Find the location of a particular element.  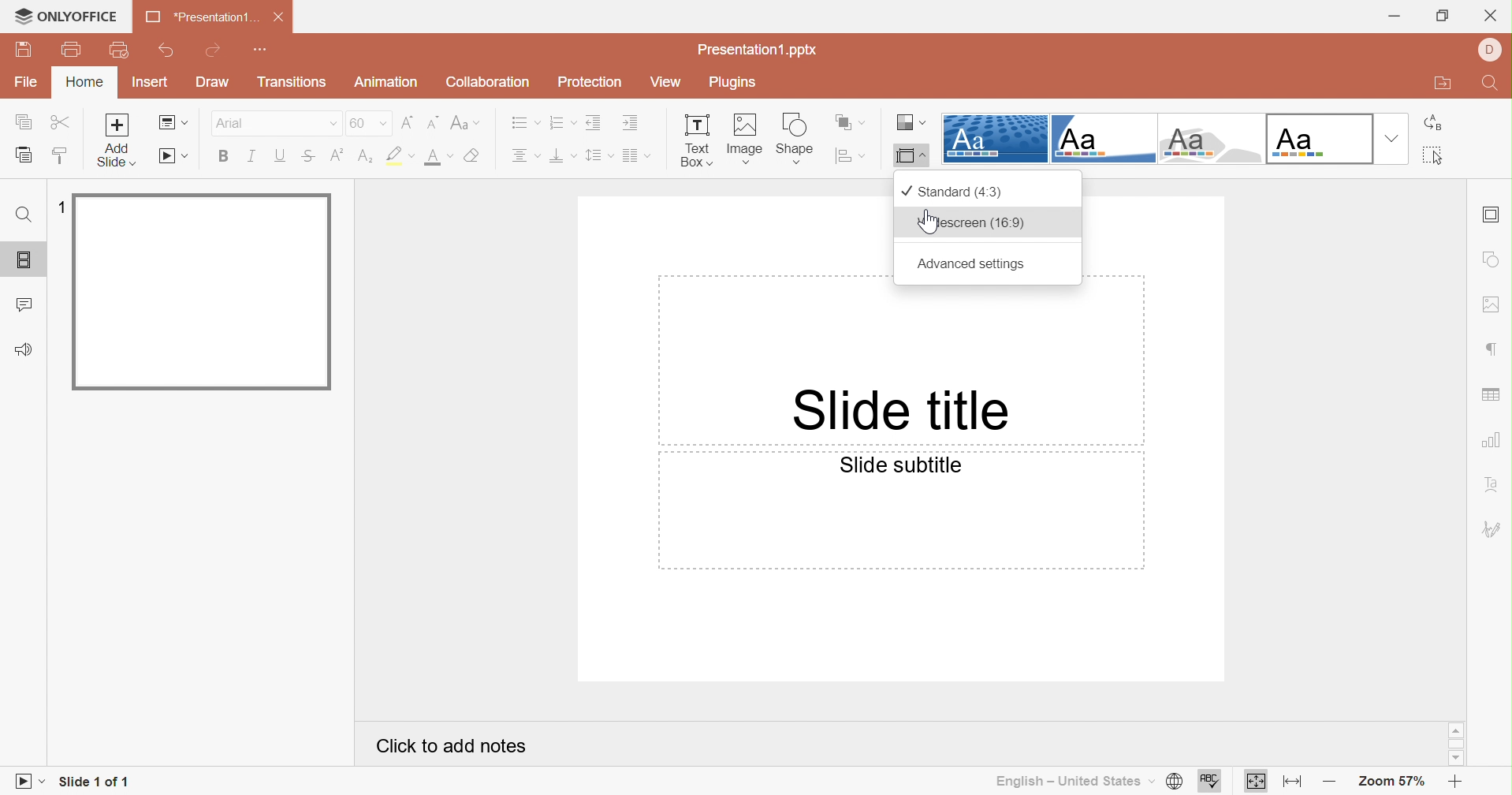

Set document language is located at coordinates (1177, 781).